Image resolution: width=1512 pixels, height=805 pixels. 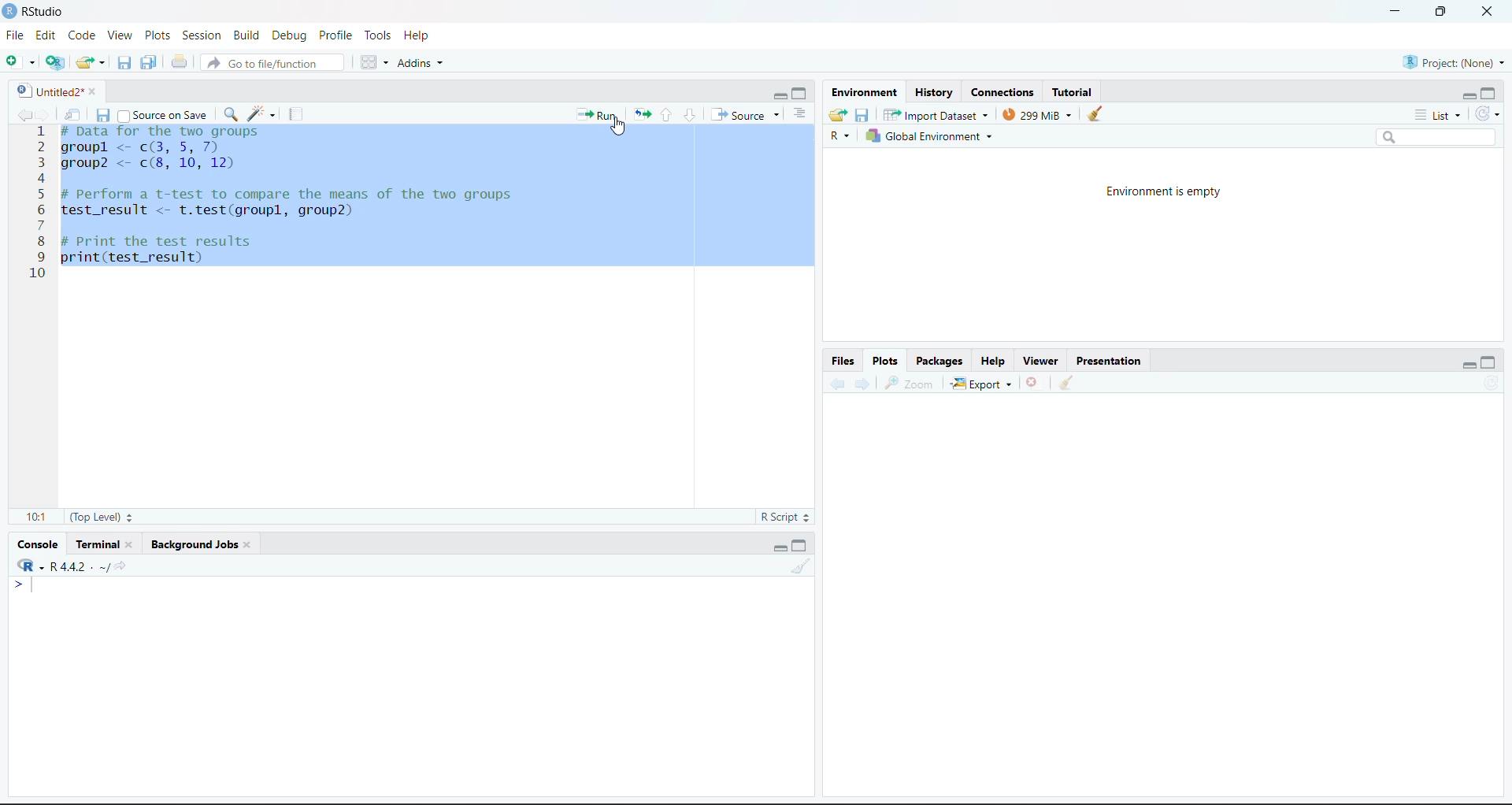 What do you see at coordinates (1043, 359) in the screenshot?
I see `Viewer` at bounding box center [1043, 359].